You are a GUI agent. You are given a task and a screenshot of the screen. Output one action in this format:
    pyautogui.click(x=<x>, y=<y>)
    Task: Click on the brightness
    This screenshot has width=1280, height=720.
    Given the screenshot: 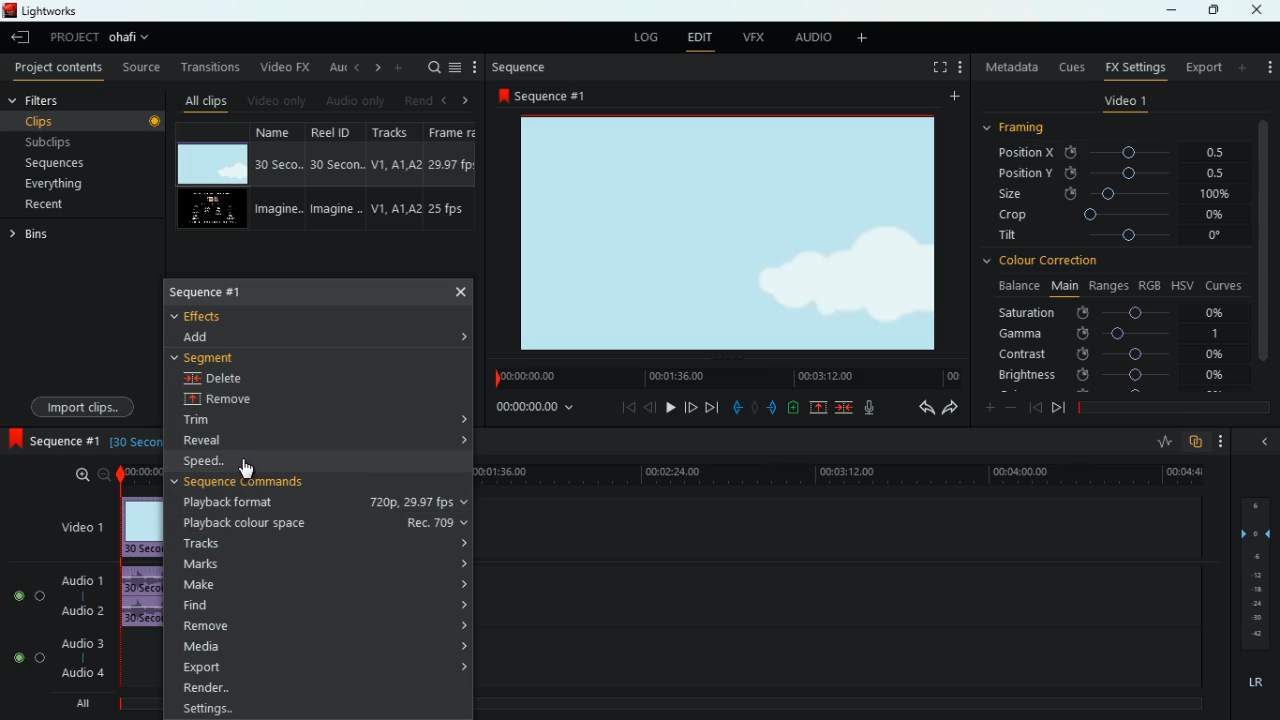 What is the action you would take?
    pyautogui.click(x=1110, y=374)
    